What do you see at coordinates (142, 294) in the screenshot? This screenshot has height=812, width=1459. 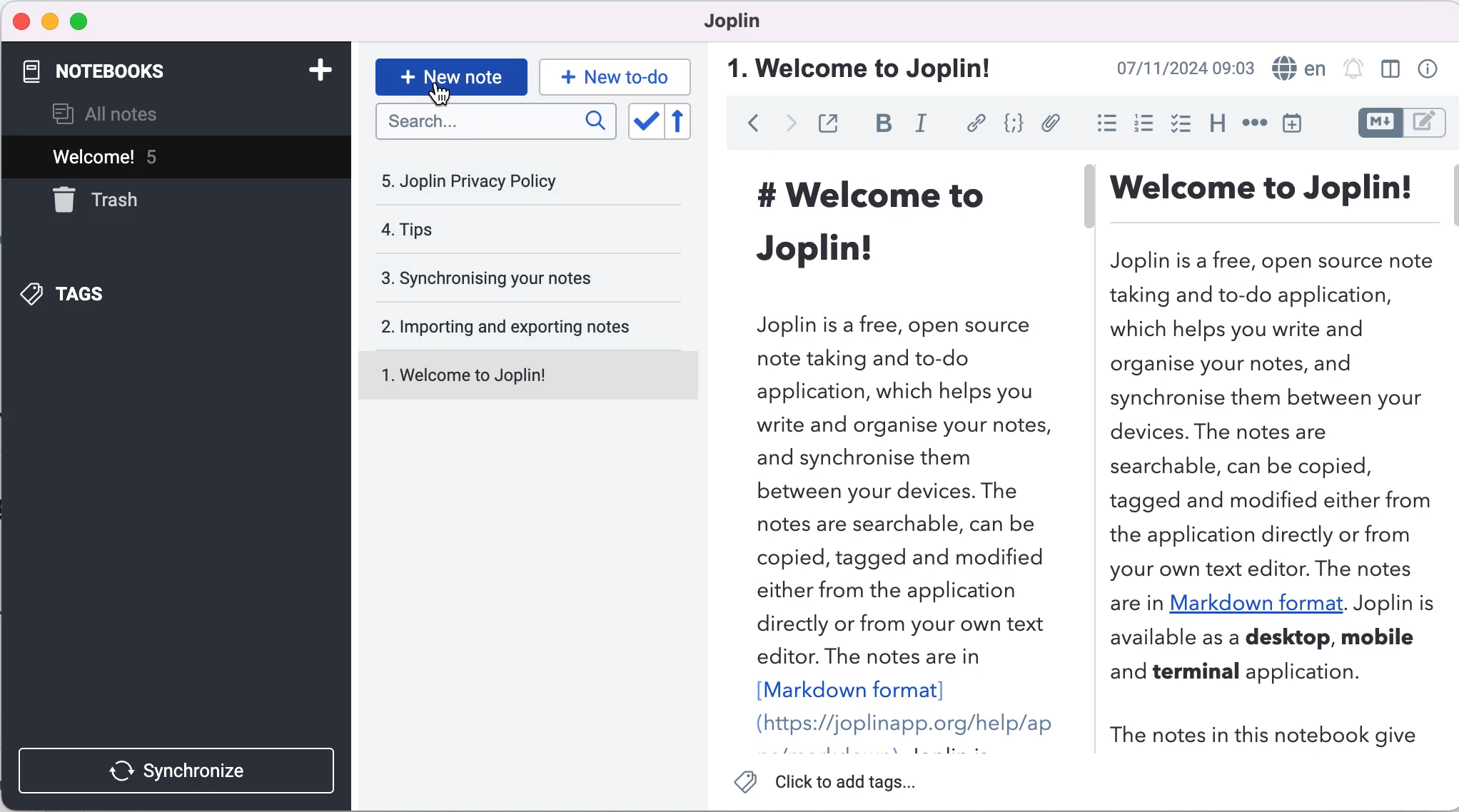 I see `tags` at bounding box center [142, 294].